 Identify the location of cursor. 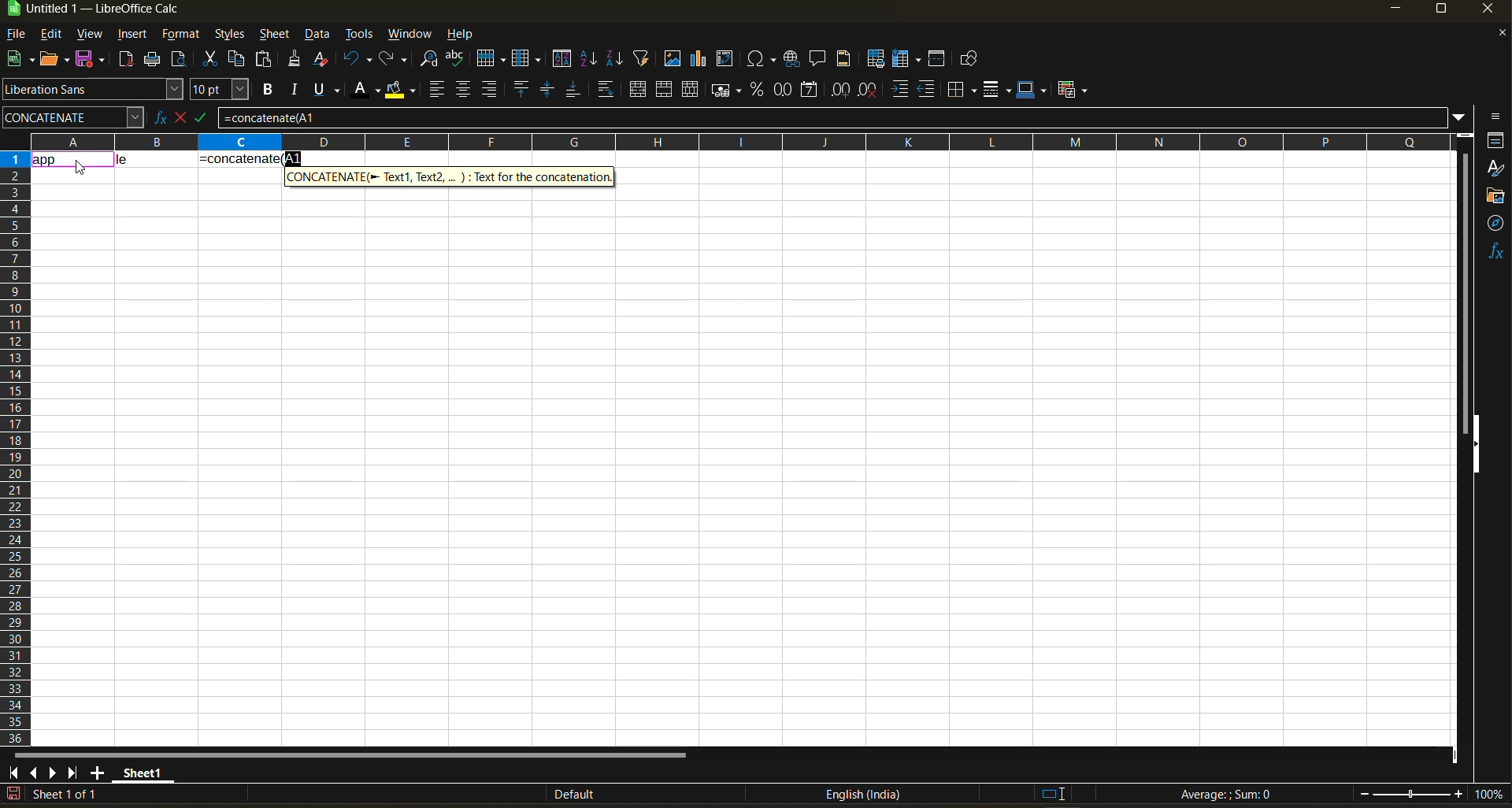
(82, 168).